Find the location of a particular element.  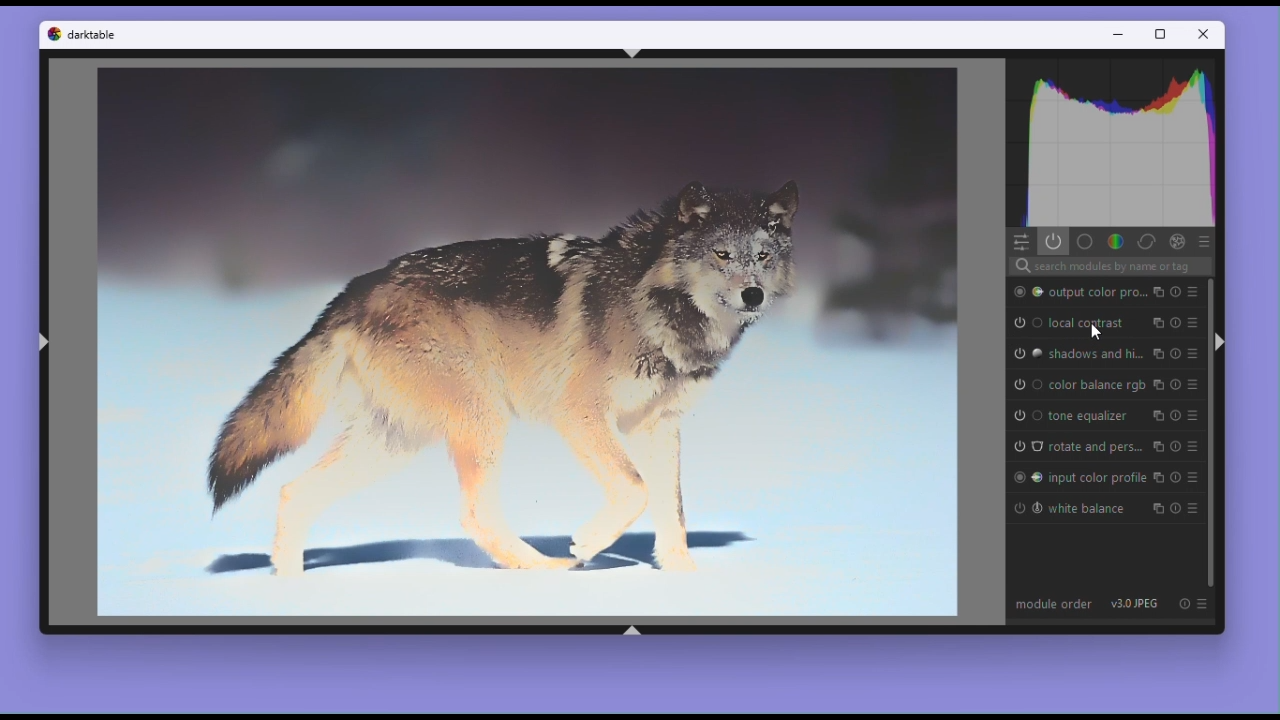

shift+ctrl+r is located at coordinates (1216, 340).